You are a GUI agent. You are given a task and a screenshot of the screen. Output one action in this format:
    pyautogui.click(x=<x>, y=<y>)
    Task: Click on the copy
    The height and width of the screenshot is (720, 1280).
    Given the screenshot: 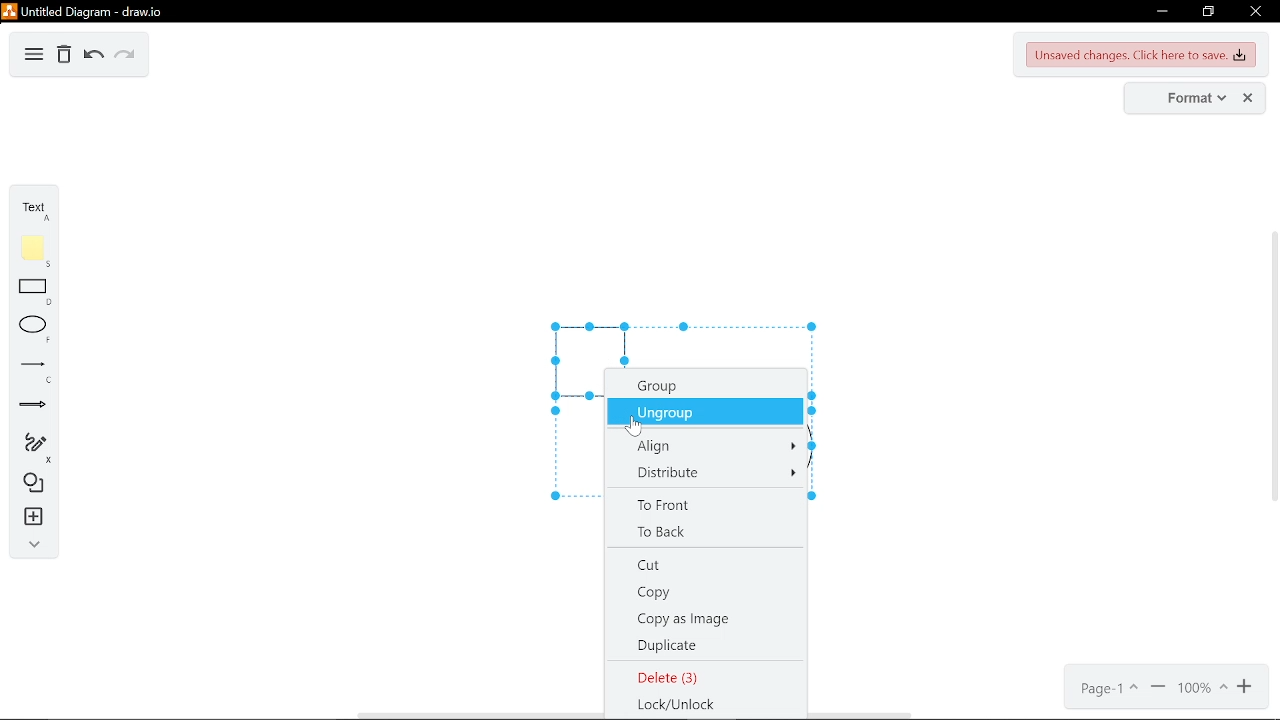 What is the action you would take?
    pyautogui.click(x=706, y=591)
    